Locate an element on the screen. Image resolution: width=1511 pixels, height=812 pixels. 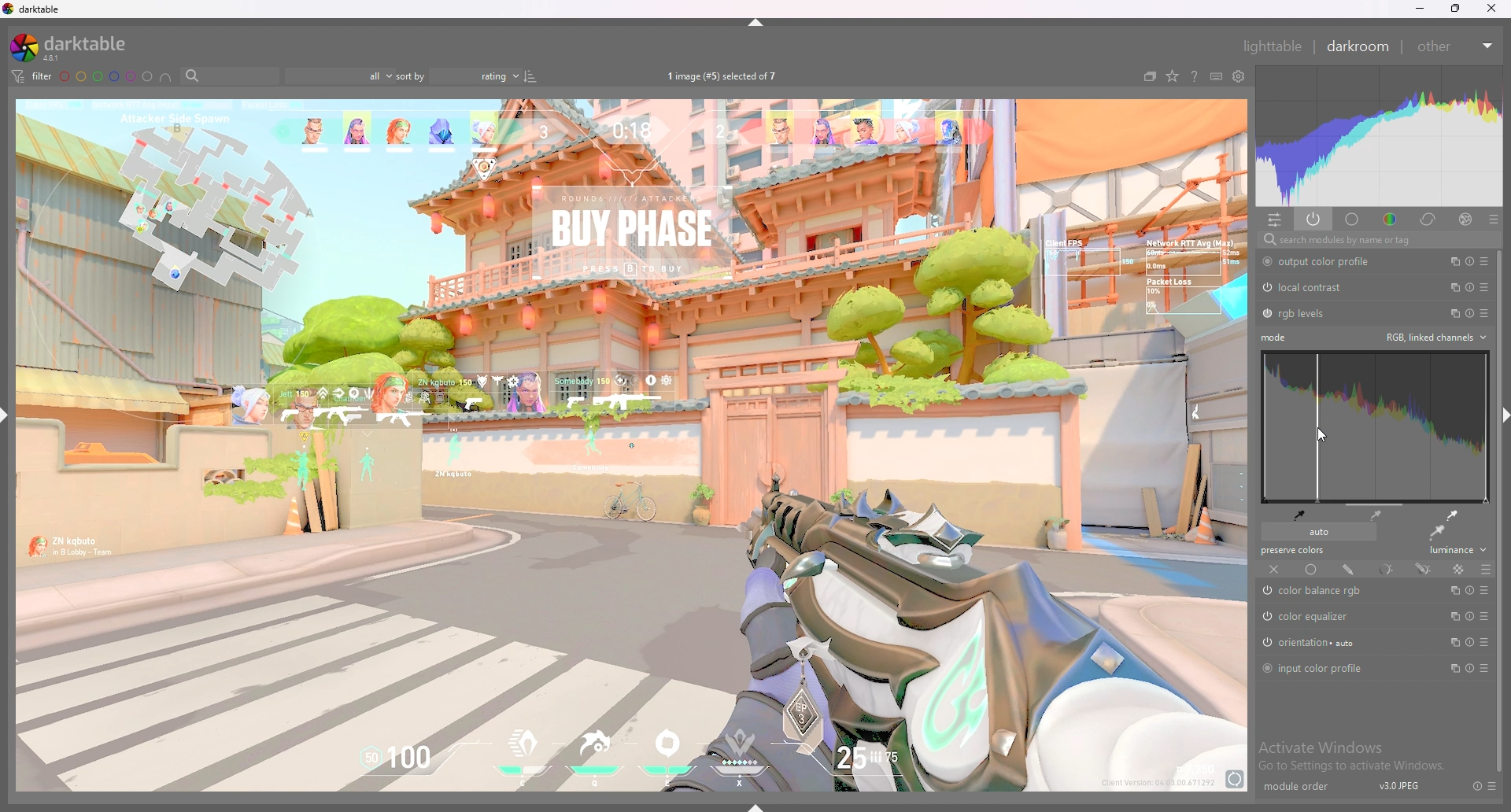
reset is located at coordinates (1469, 287).